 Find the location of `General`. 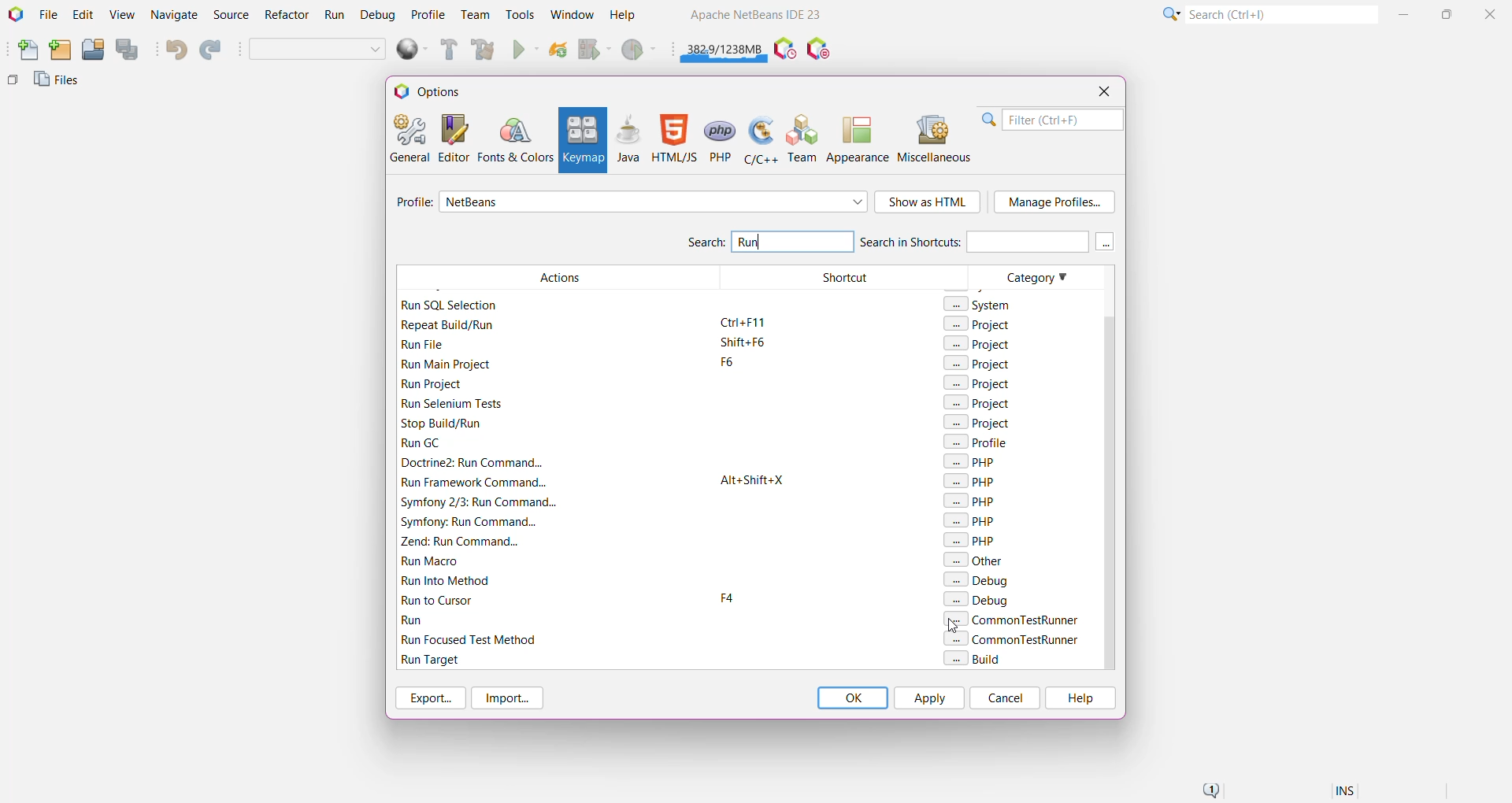

General is located at coordinates (408, 137).